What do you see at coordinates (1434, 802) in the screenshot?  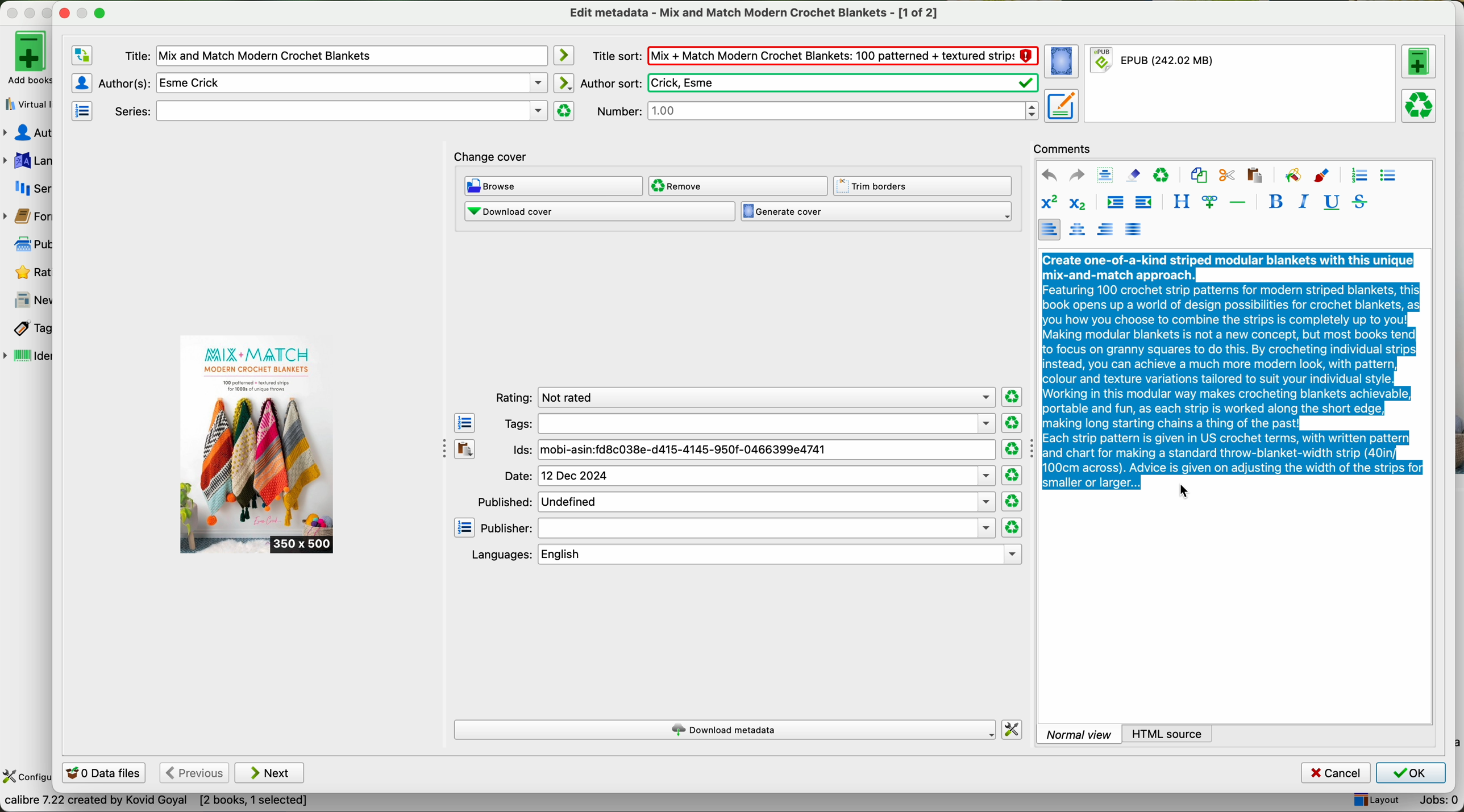 I see `Jobs: 0` at bounding box center [1434, 802].